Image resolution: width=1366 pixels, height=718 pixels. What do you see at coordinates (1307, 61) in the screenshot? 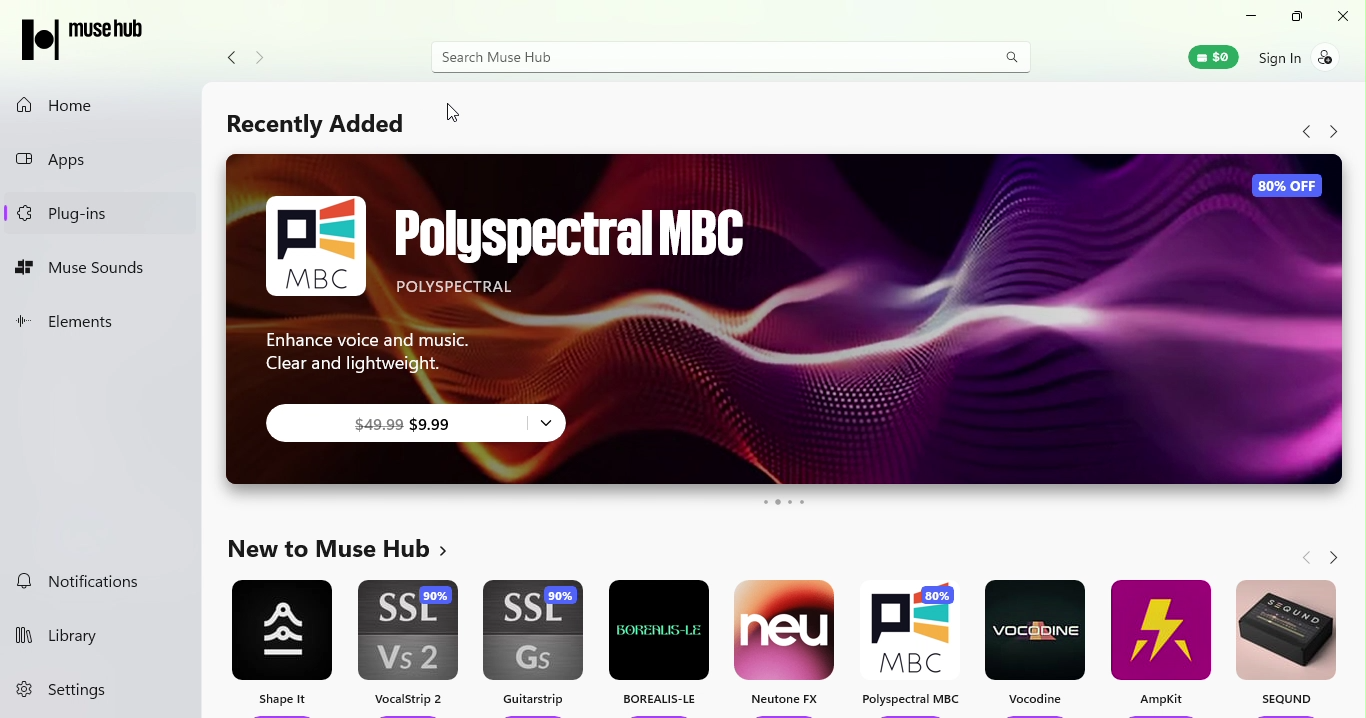
I see `Sign in` at bounding box center [1307, 61].